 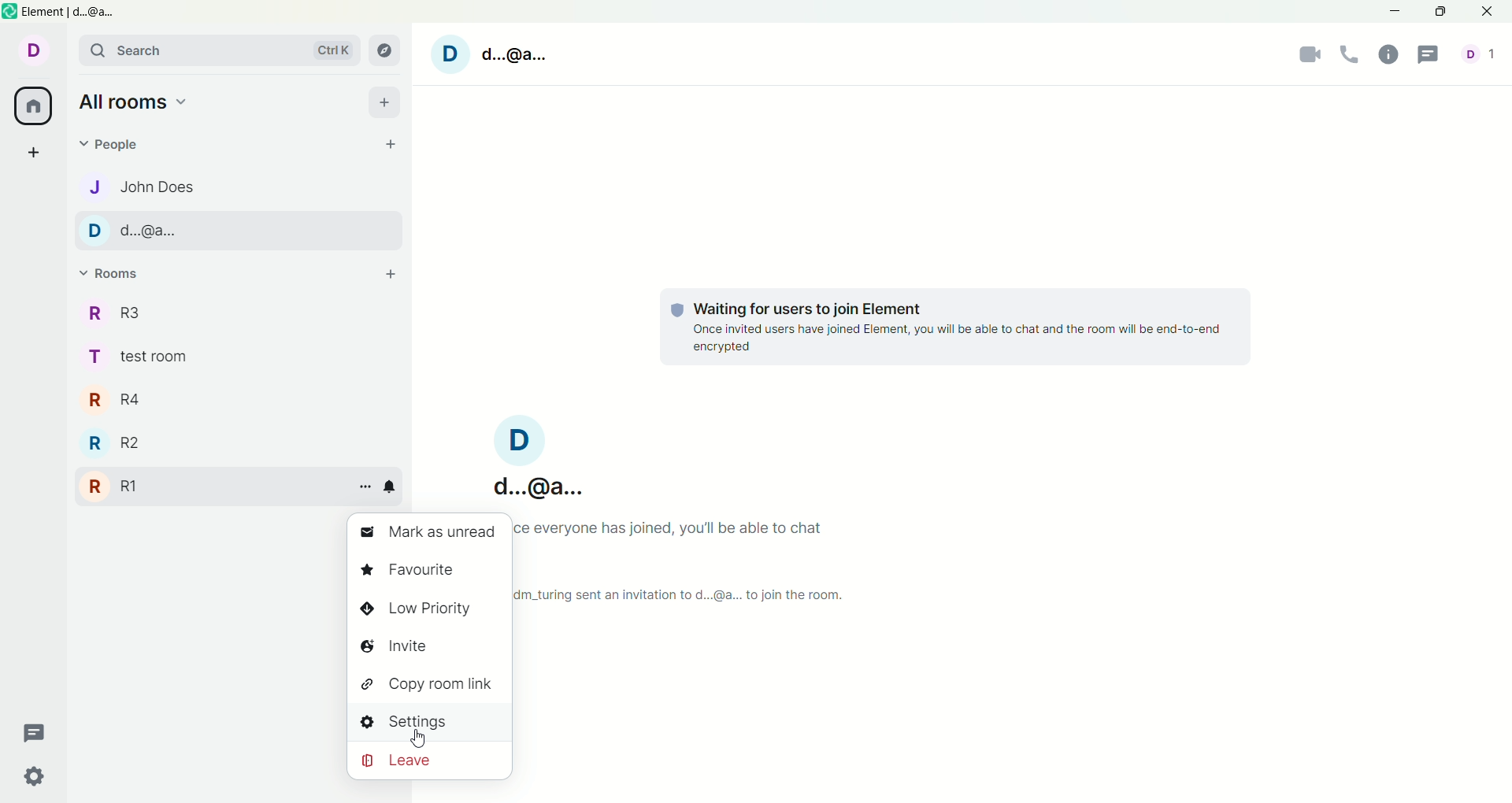 What do you see at coordinates (30, 154) in the screenshot?
I see `create a space` at bounding box center [30, 154].